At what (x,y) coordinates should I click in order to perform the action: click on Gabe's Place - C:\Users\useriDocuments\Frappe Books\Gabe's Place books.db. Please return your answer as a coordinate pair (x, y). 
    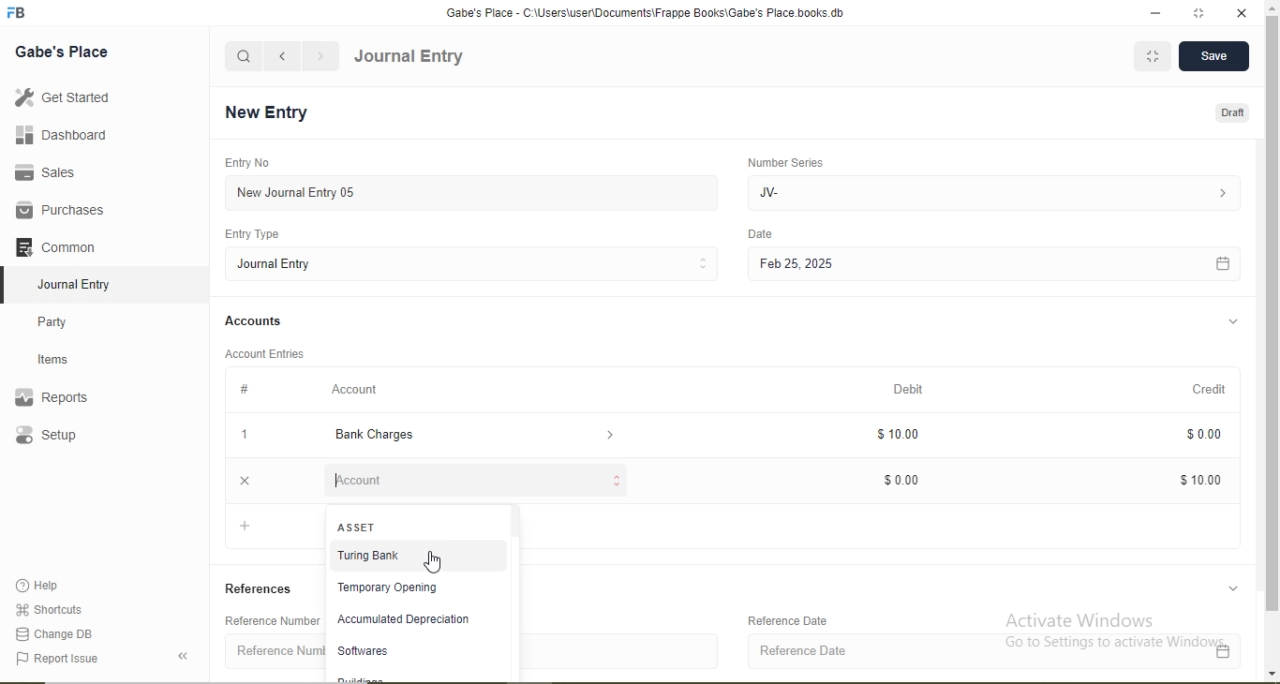
    Looking at the image, I should click on (655, 12).